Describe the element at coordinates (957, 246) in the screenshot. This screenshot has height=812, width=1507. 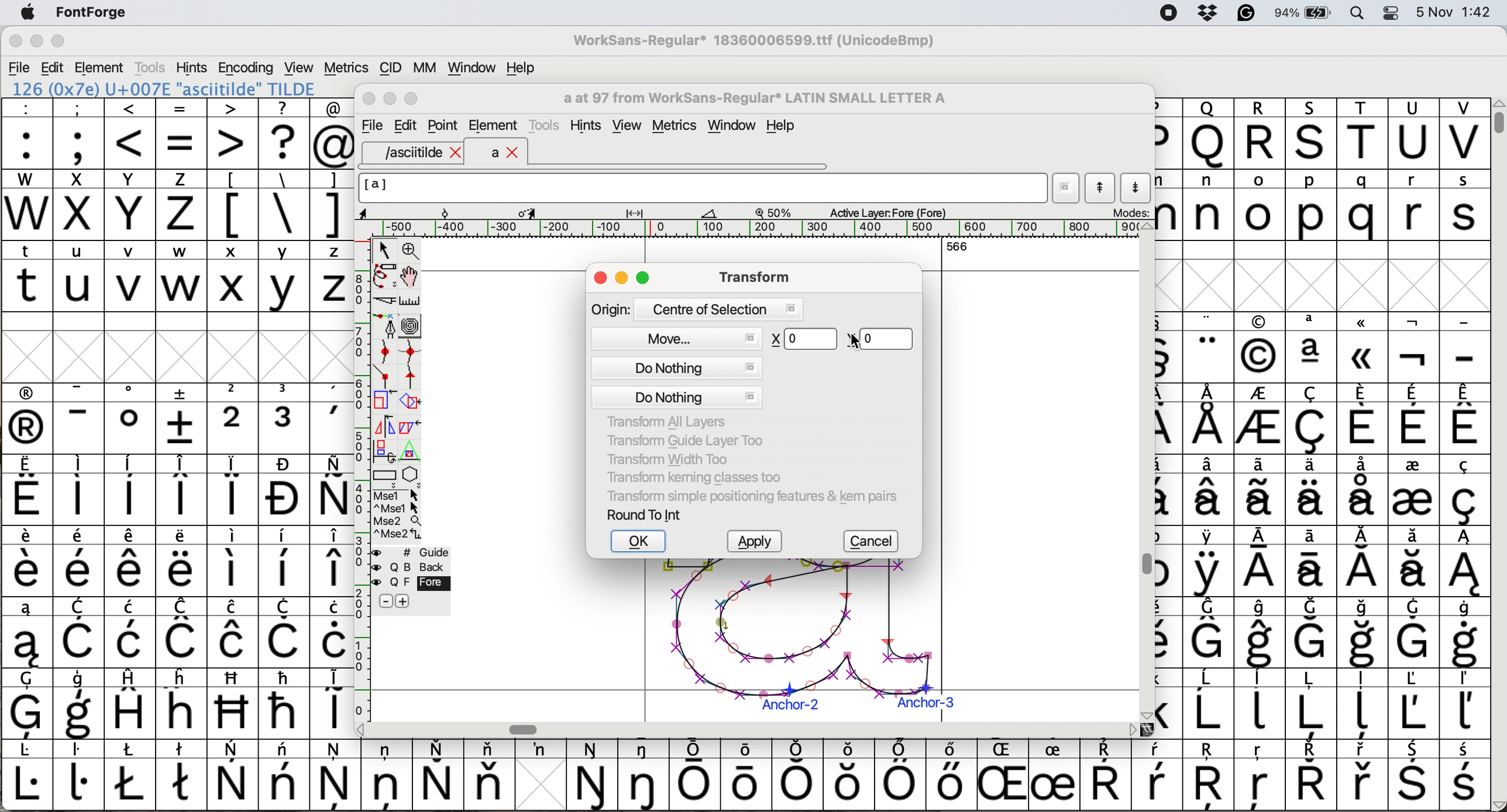
I see `566` at that location.